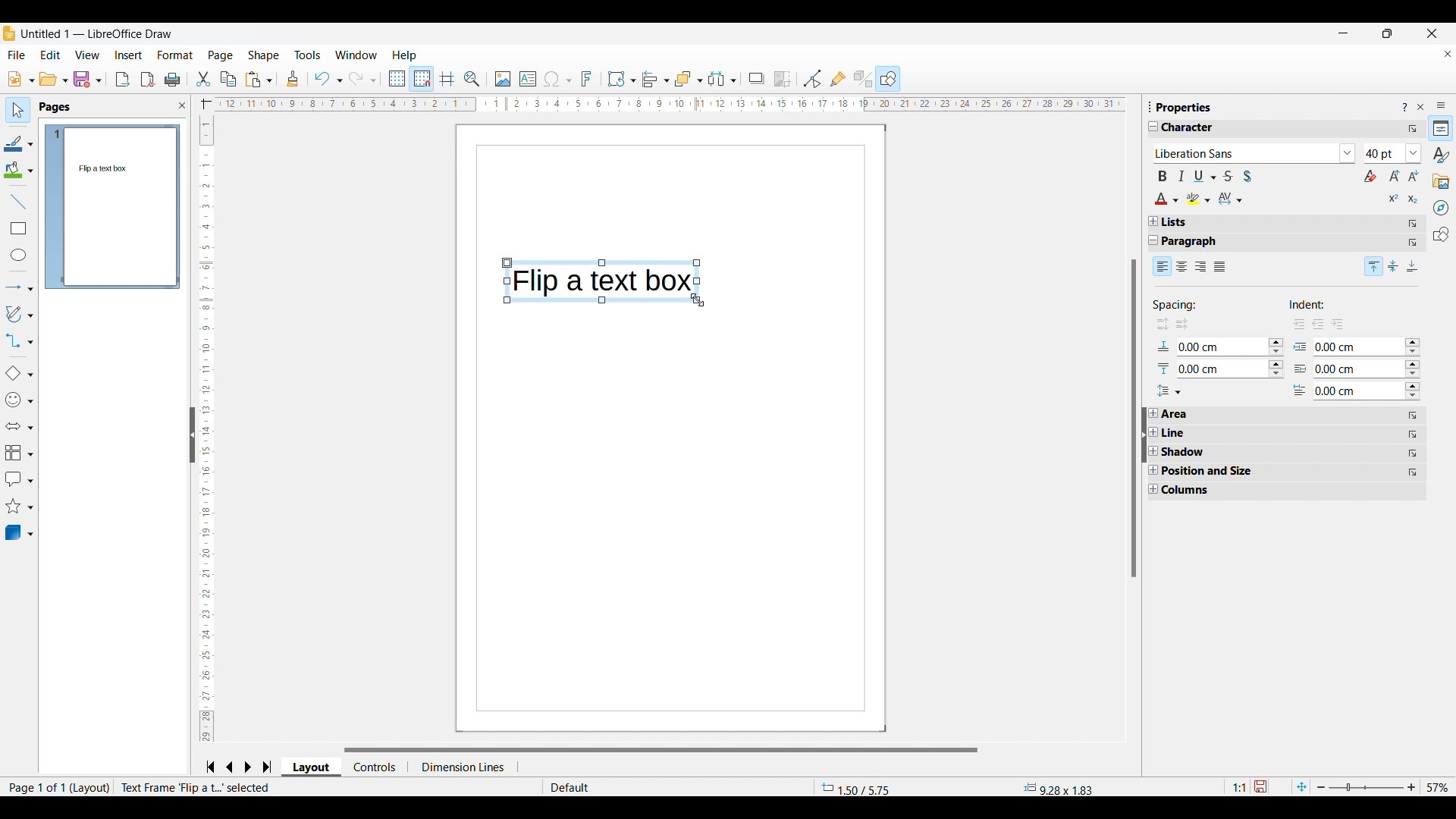 Image resolution: width=1456 pixels, height=819 pixels. What do you see at coordinates (1191, 303) in the screenshot?
I see `Spacing` at bounding box center [1191, 303].